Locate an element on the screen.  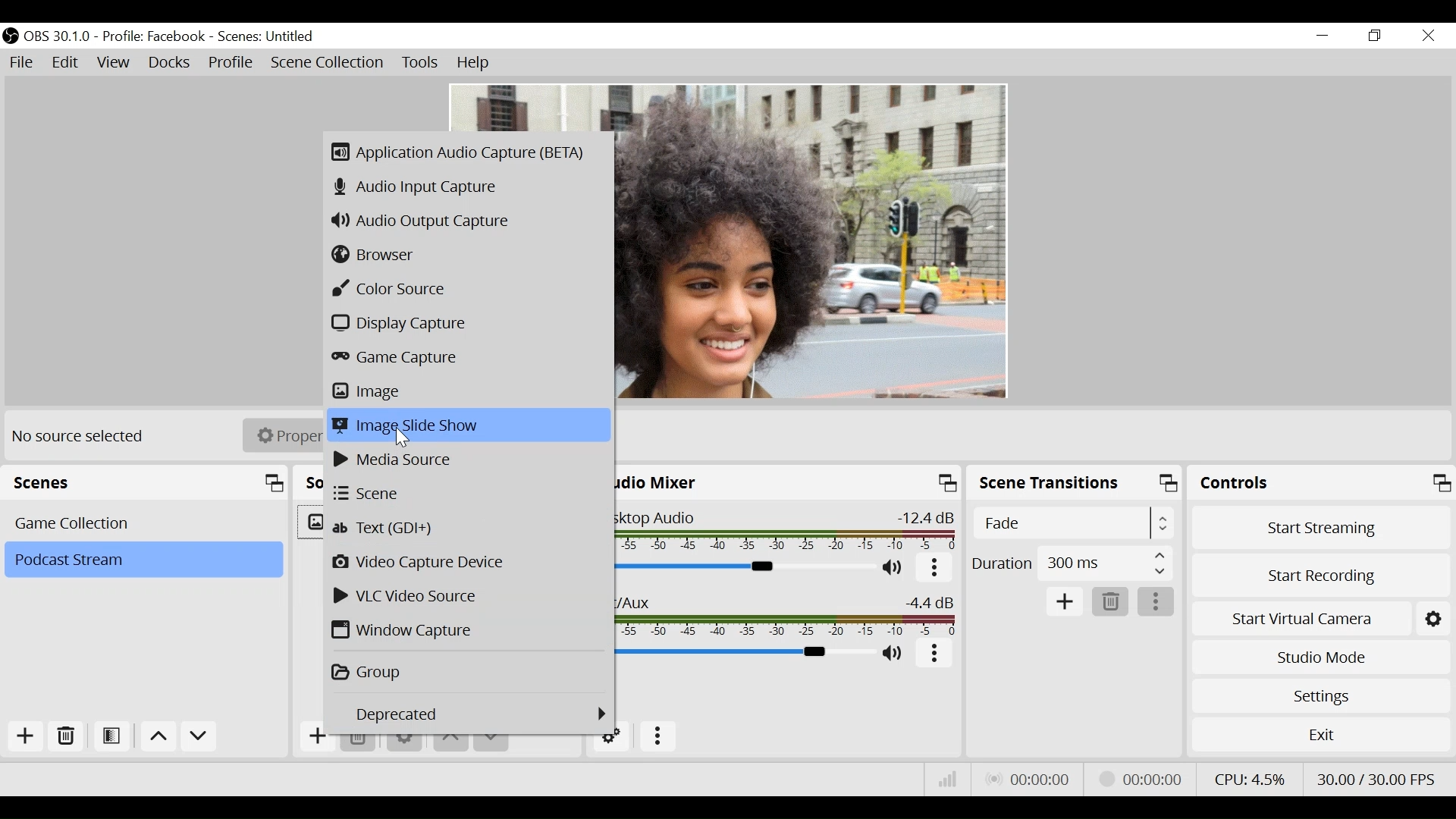
Studio Mode is located at coordinates (1321, 655).